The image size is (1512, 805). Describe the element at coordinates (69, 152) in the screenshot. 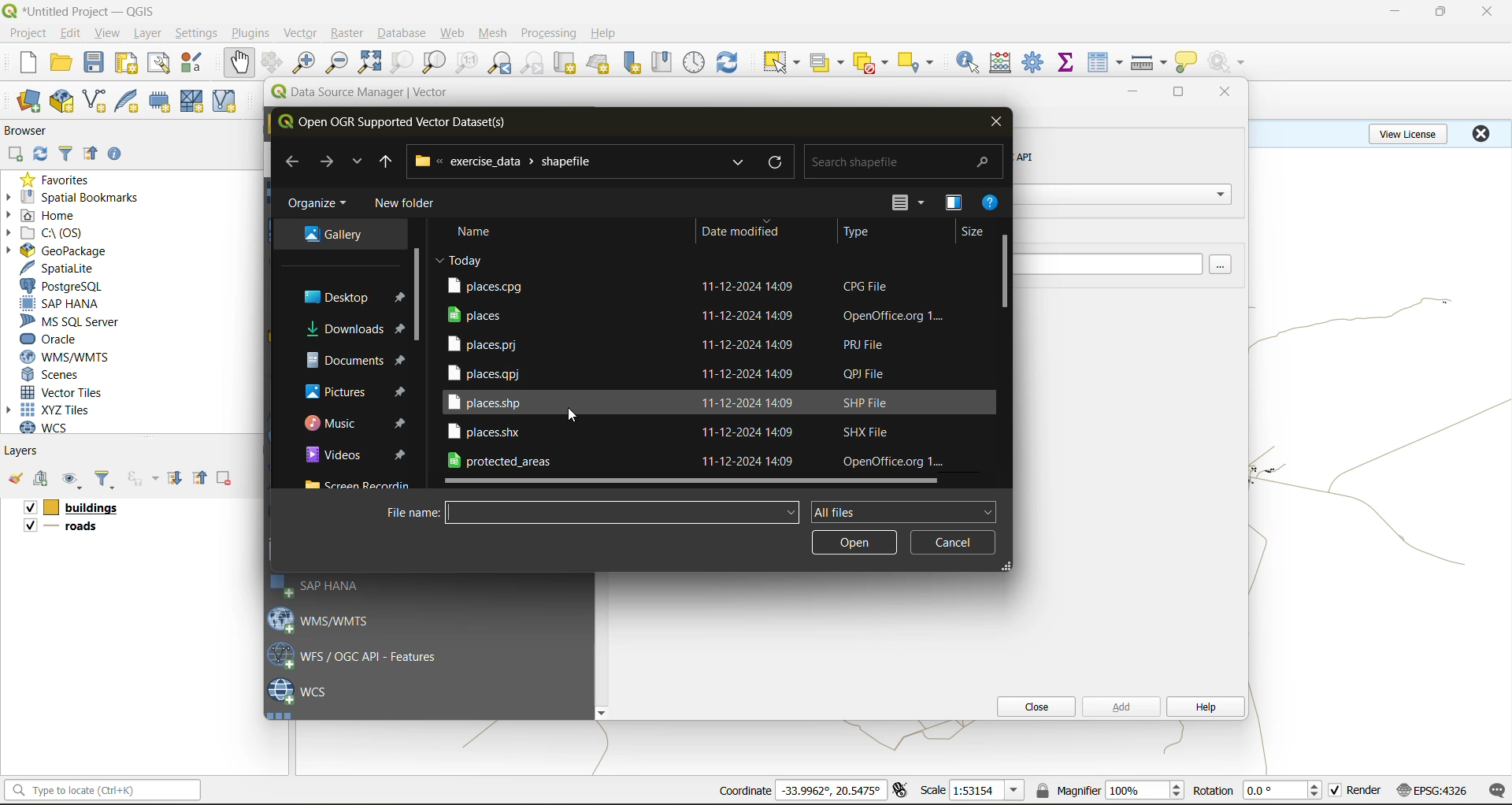

I see `filter` at that location.